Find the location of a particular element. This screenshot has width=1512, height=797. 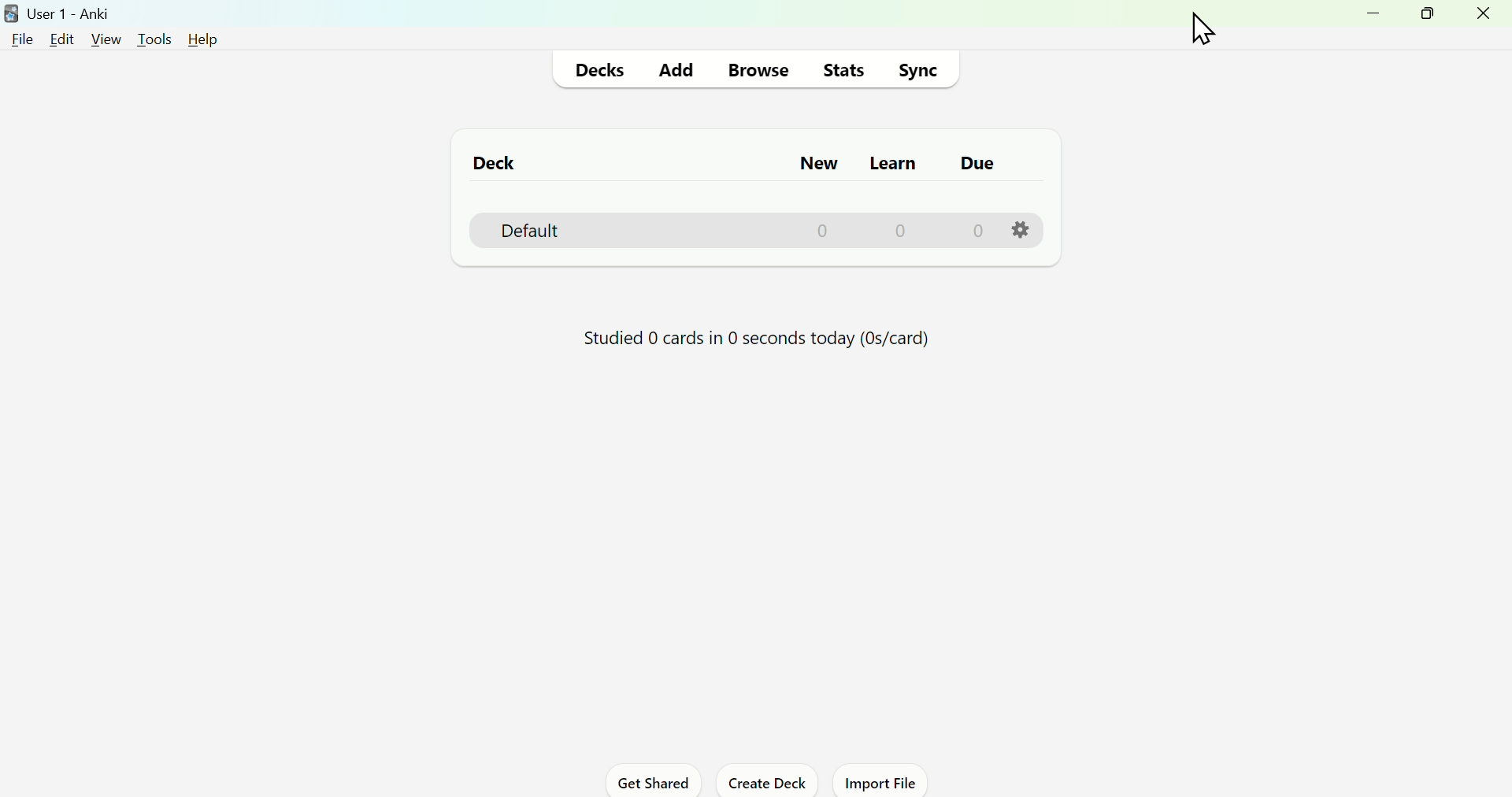

Edit is located at coordinates (59, 42).